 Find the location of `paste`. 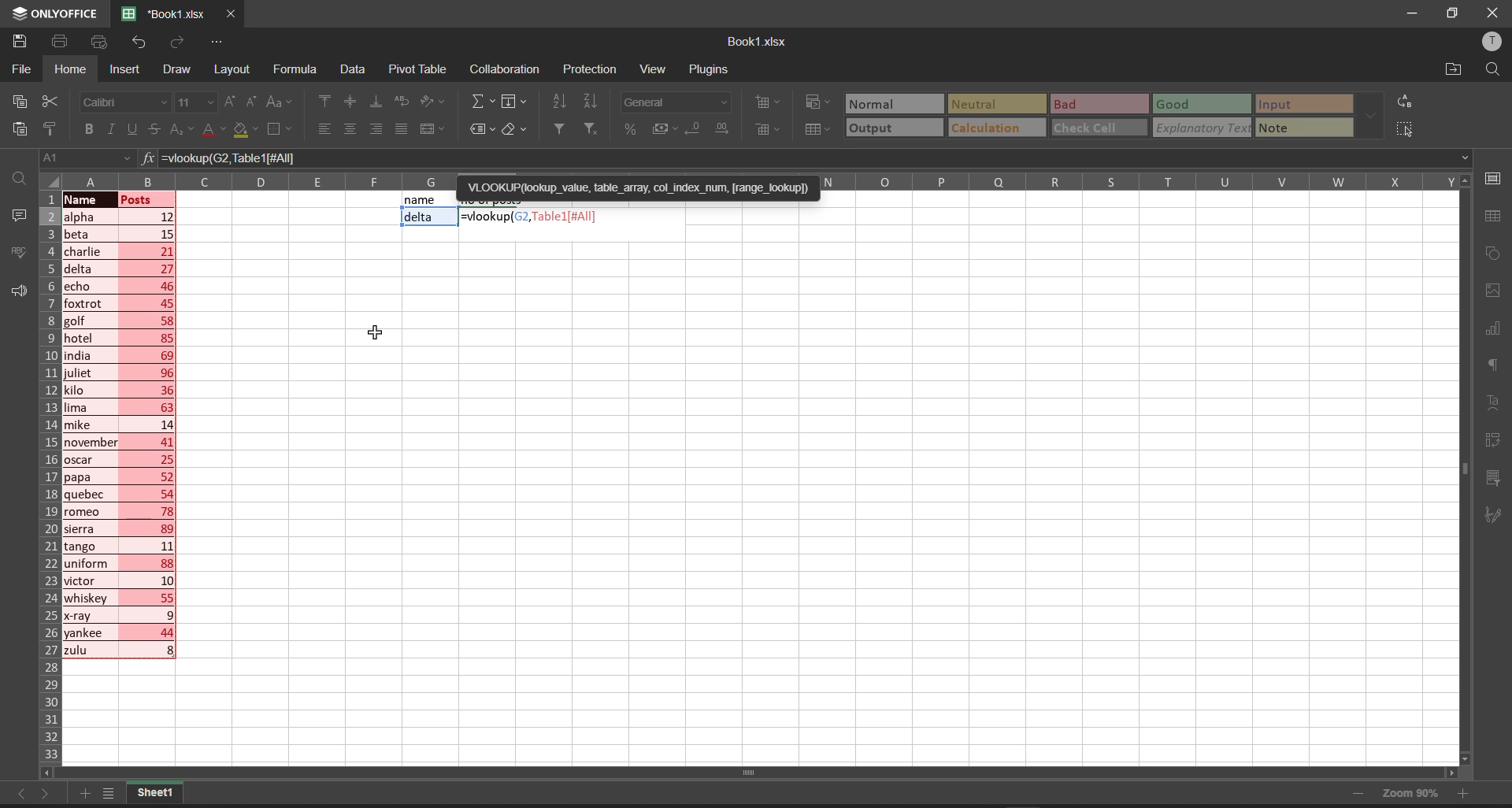

paste is located at coordinates (16, 128).